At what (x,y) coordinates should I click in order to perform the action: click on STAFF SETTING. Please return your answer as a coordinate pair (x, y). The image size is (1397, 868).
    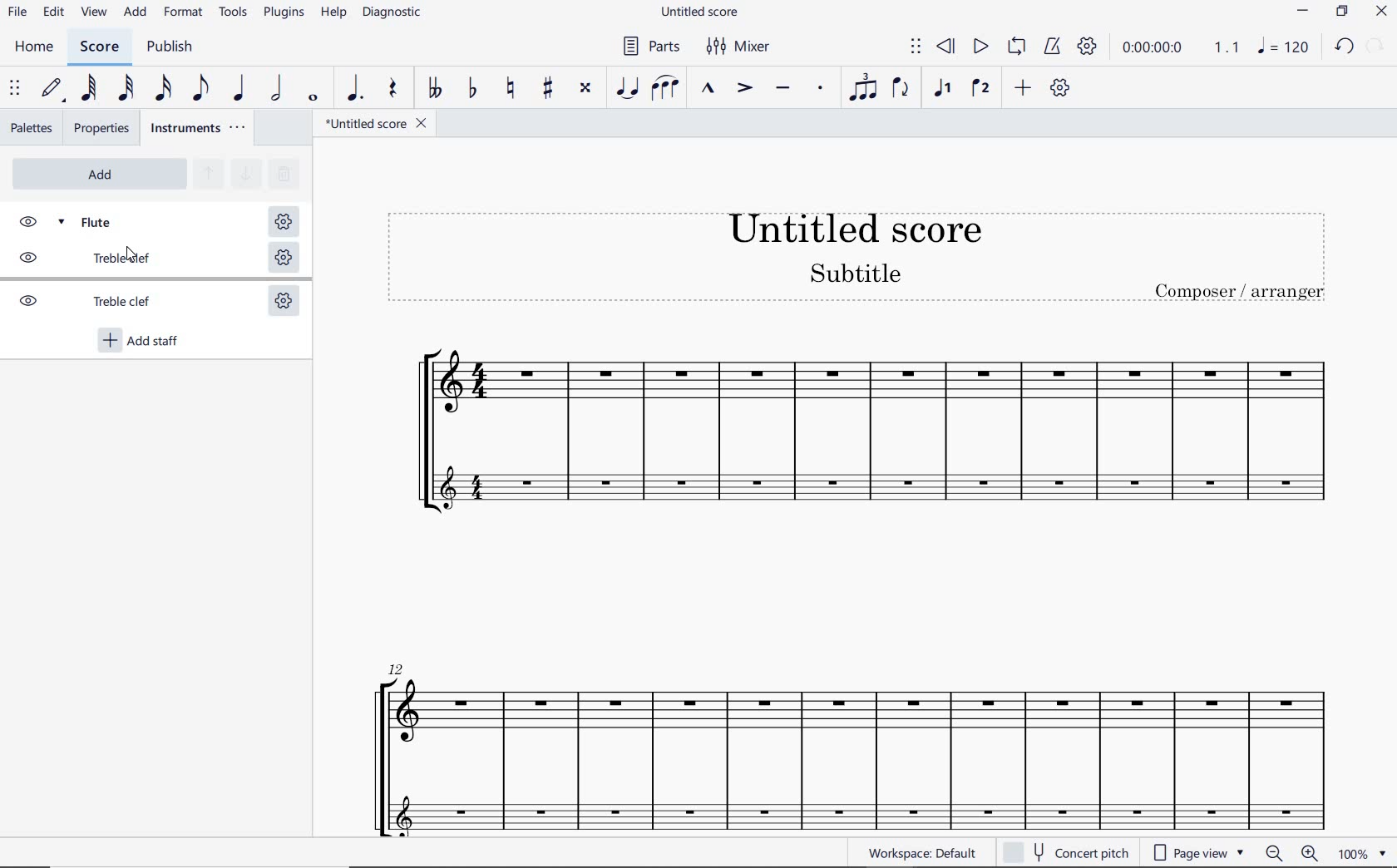
    Looking at the image, I should click on (283, 303).